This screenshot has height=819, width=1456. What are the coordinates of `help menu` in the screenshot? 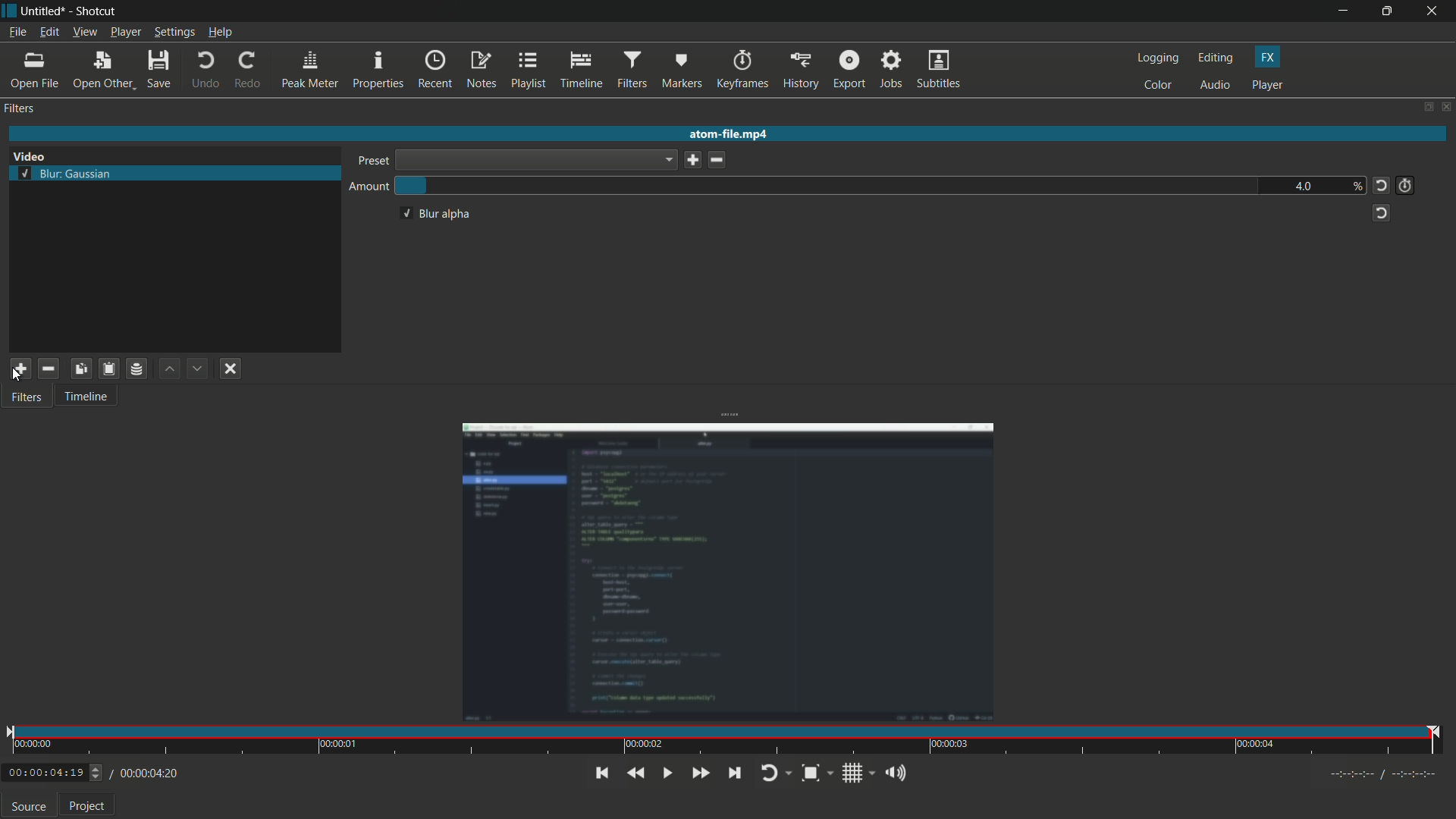 It's located at (222, 33).